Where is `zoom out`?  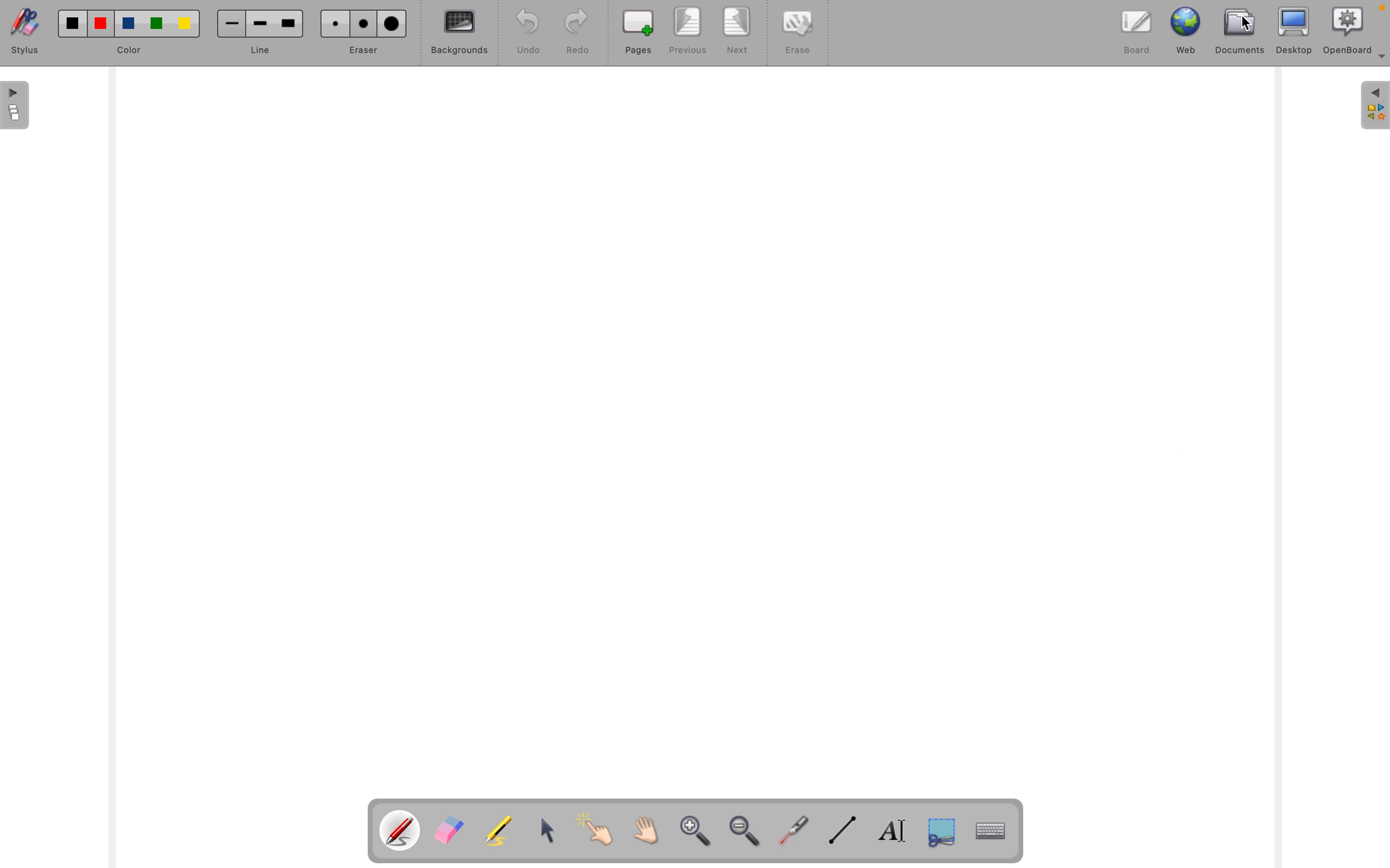 zoom out is located at coordinates (748, 834).